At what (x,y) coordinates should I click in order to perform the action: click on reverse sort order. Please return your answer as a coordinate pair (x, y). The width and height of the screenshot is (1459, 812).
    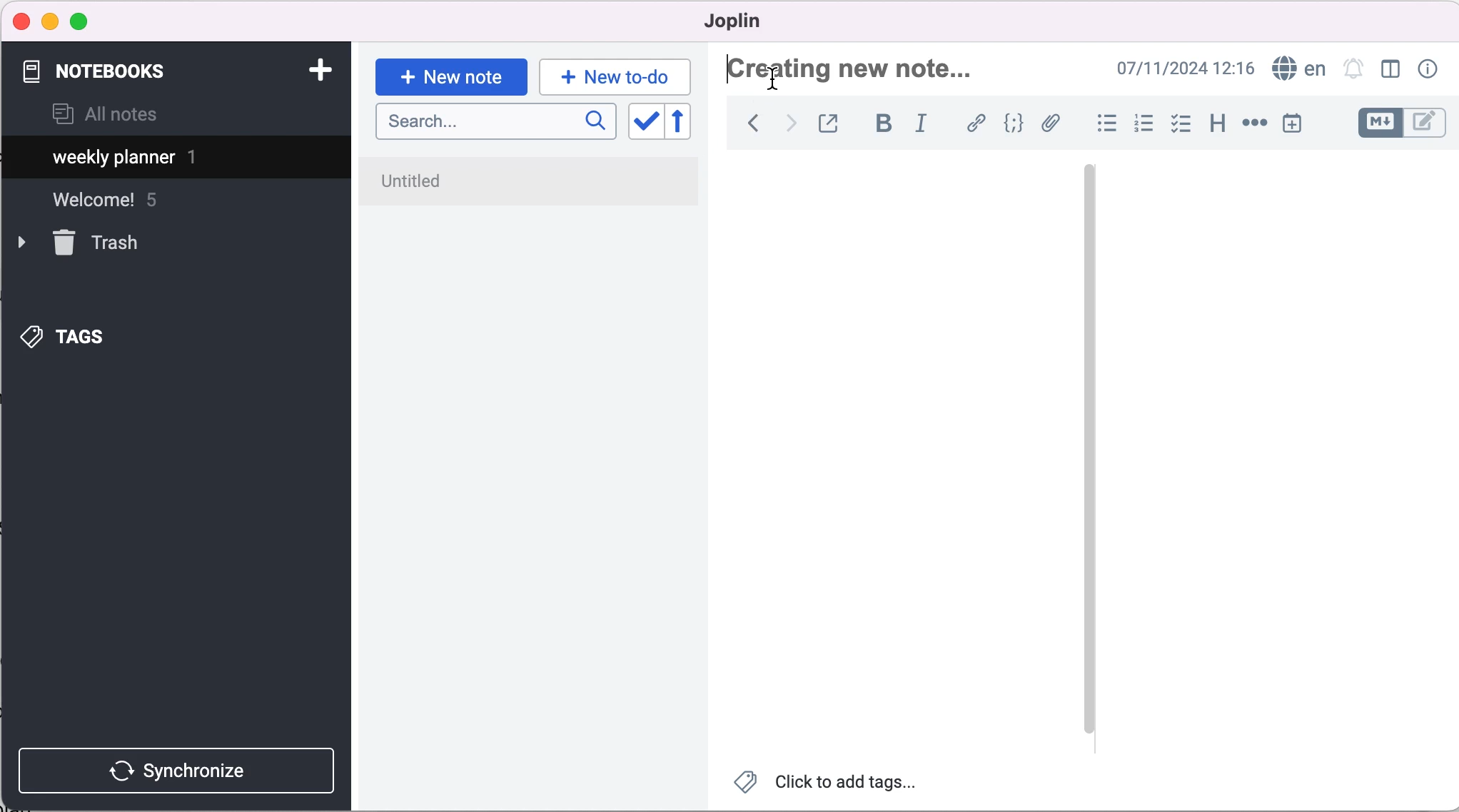
    Looking at the image, I should click on (690, 124).